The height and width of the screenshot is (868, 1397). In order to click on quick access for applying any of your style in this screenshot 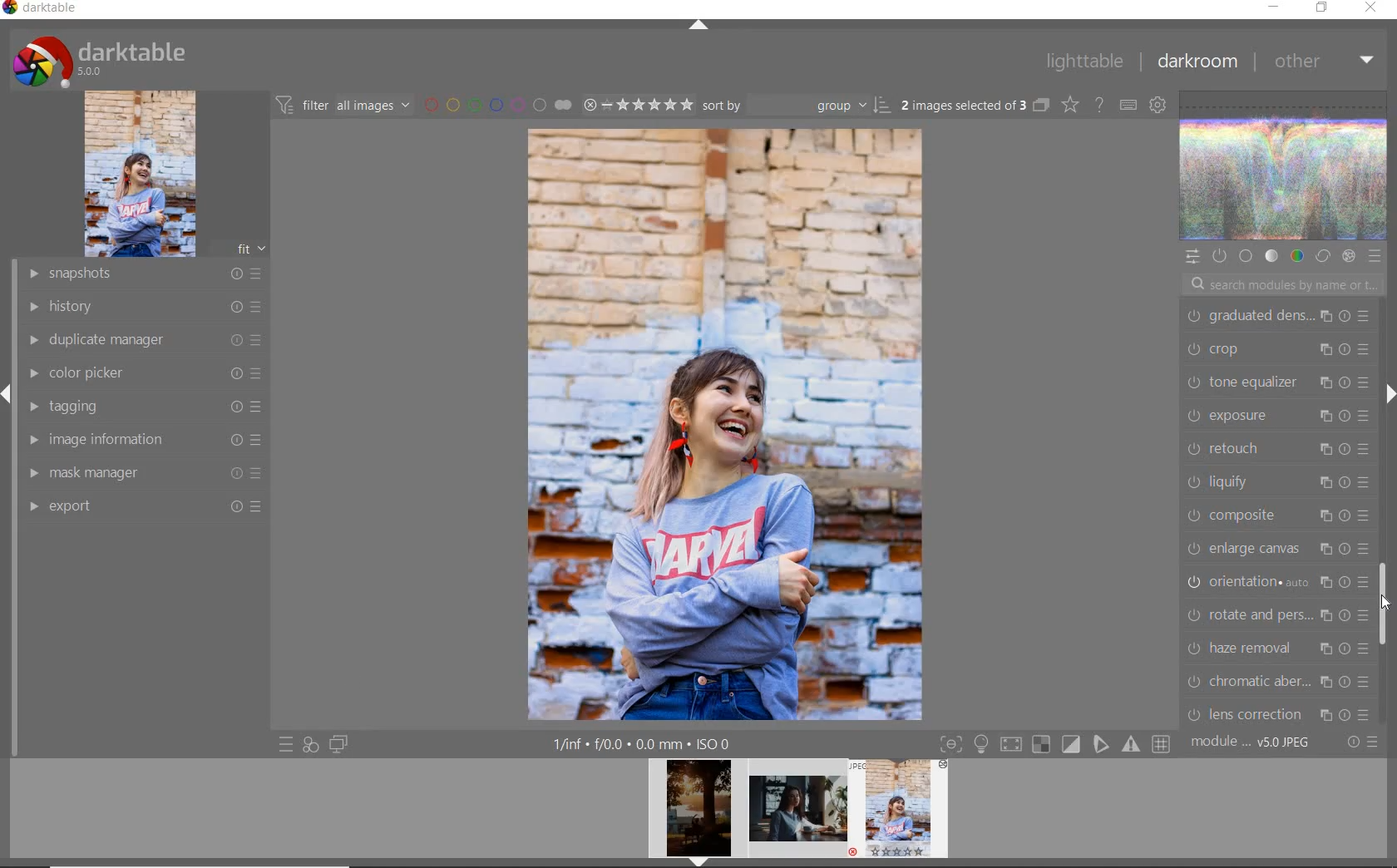, I will do `click(309, 744)`.